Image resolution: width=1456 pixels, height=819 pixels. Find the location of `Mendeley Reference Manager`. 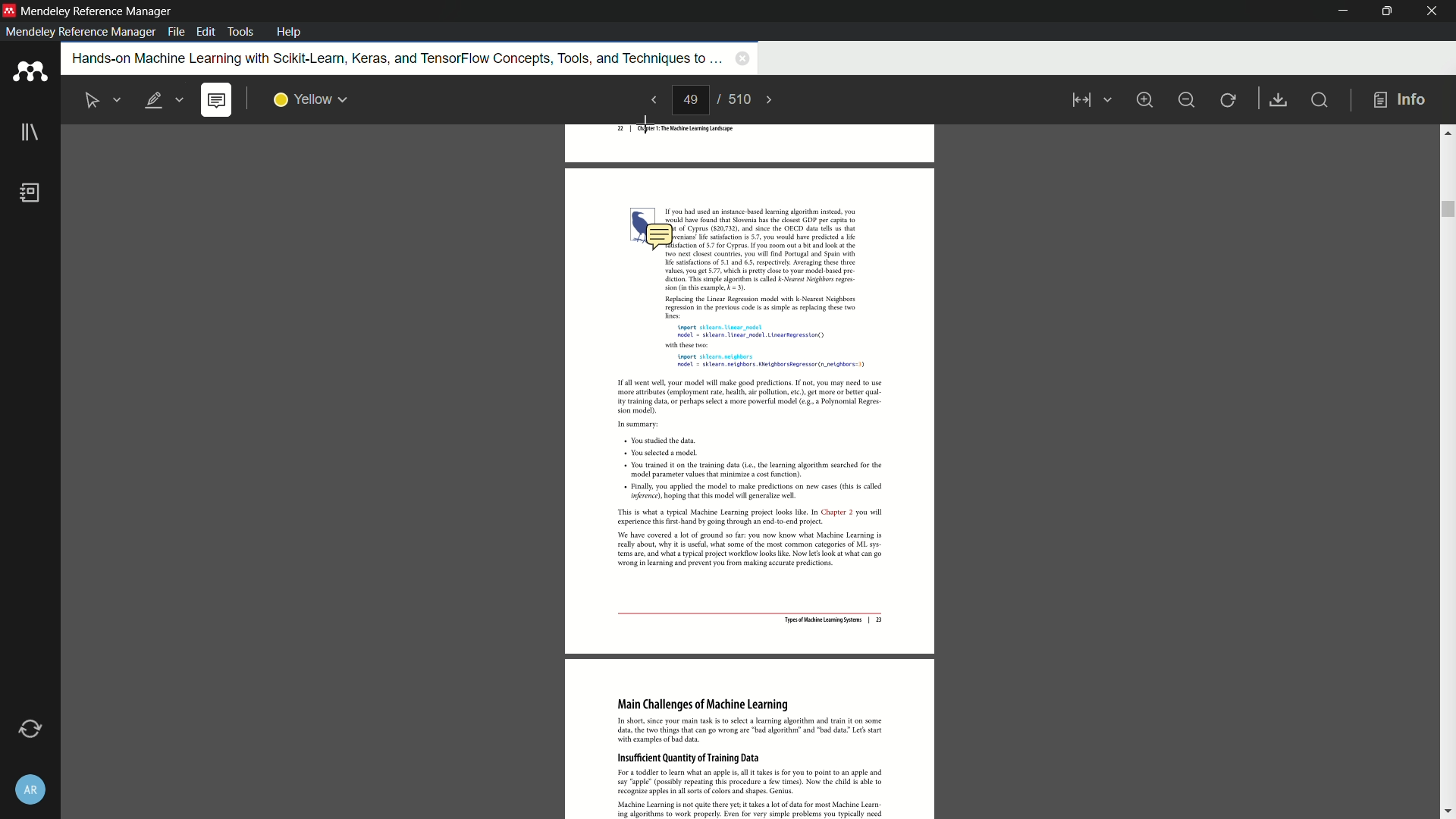

Mendeley Reference Manager is located at coordinates (97, 11).